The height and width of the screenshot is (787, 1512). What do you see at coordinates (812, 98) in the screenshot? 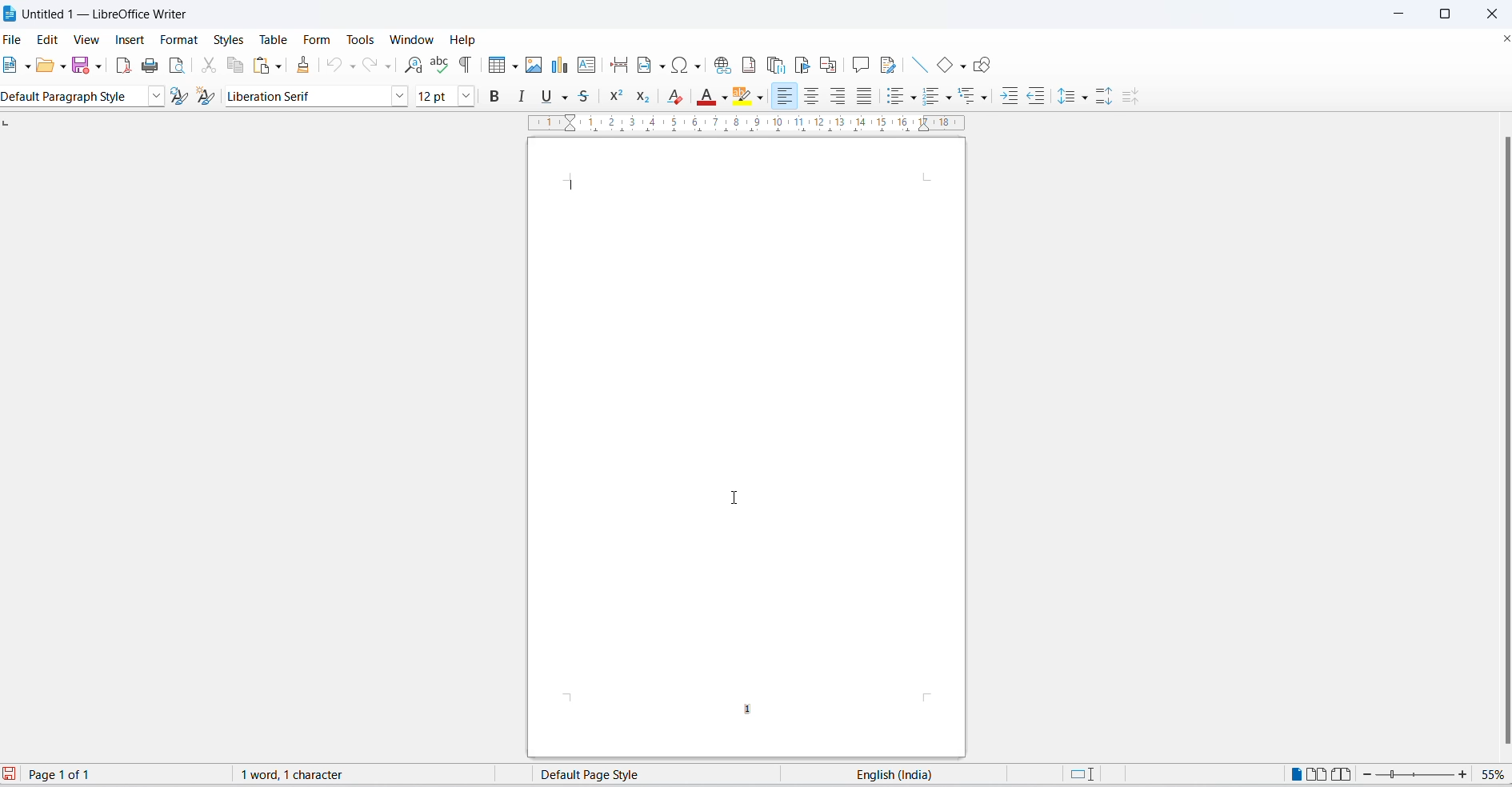
I see `text align center` at bounding box center [812, 98].